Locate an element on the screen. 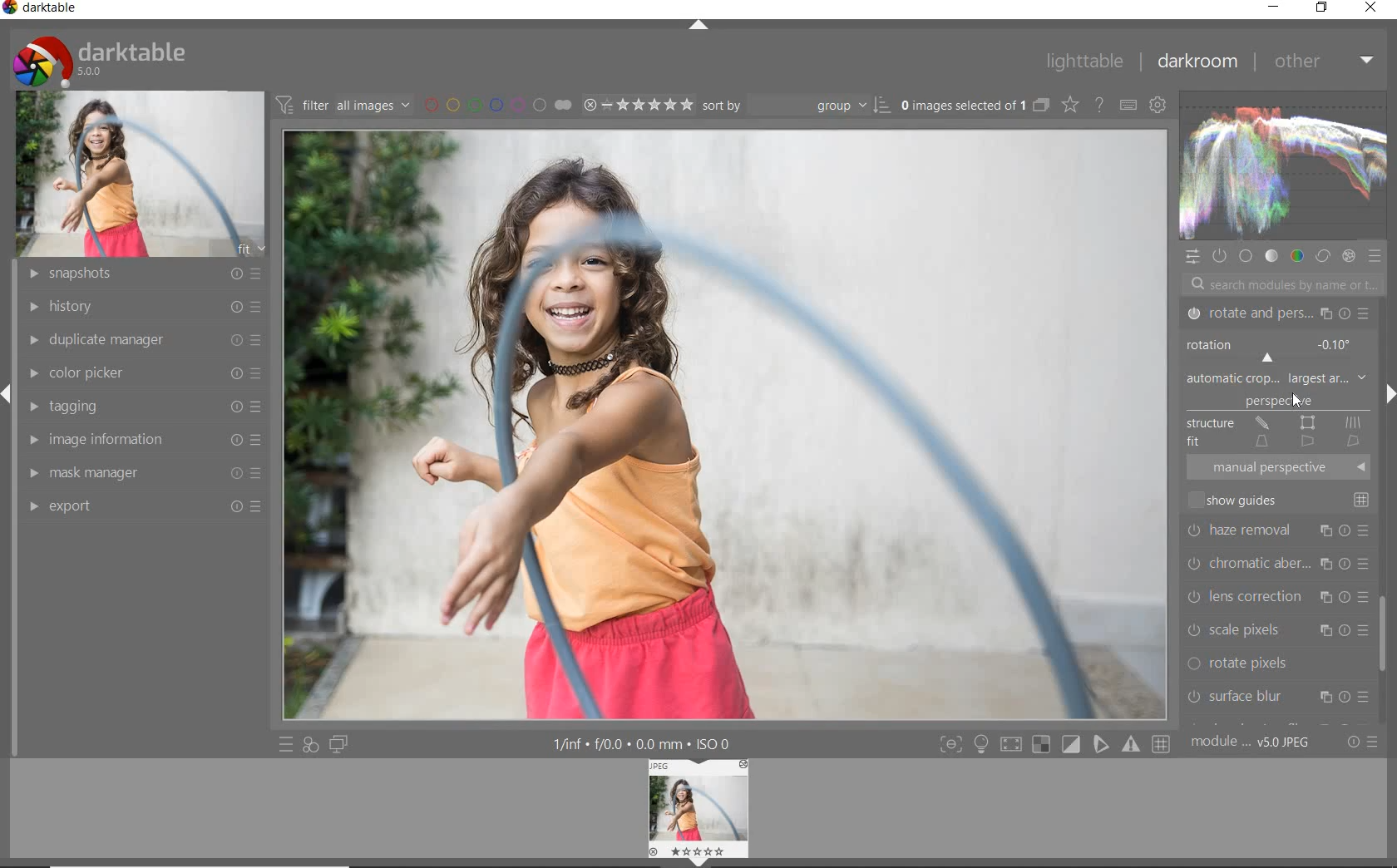  CURSOR POSITION is located at coordinates (1296, 402).